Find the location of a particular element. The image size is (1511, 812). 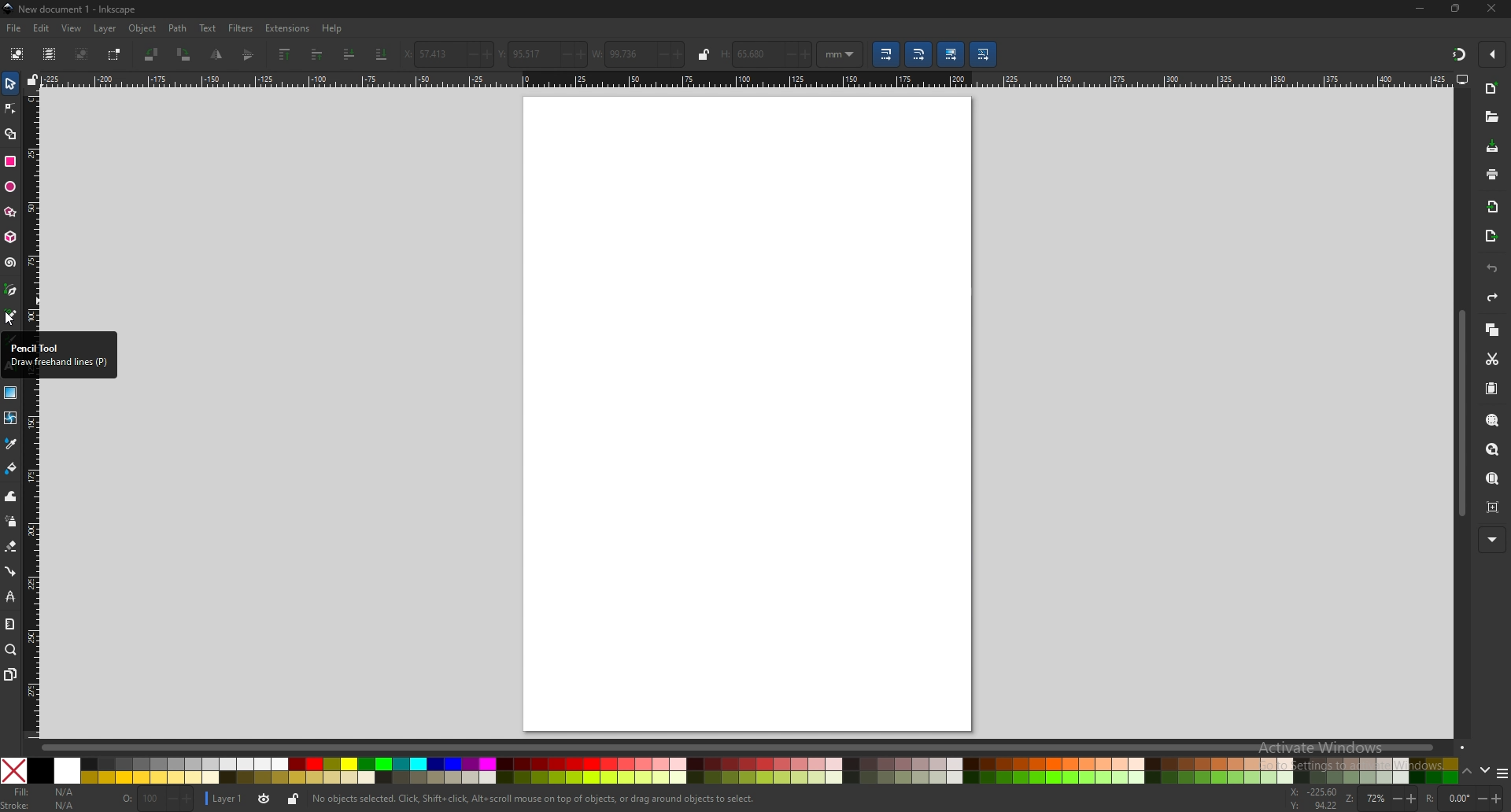

ellipse is located at coordinates (11, 186).